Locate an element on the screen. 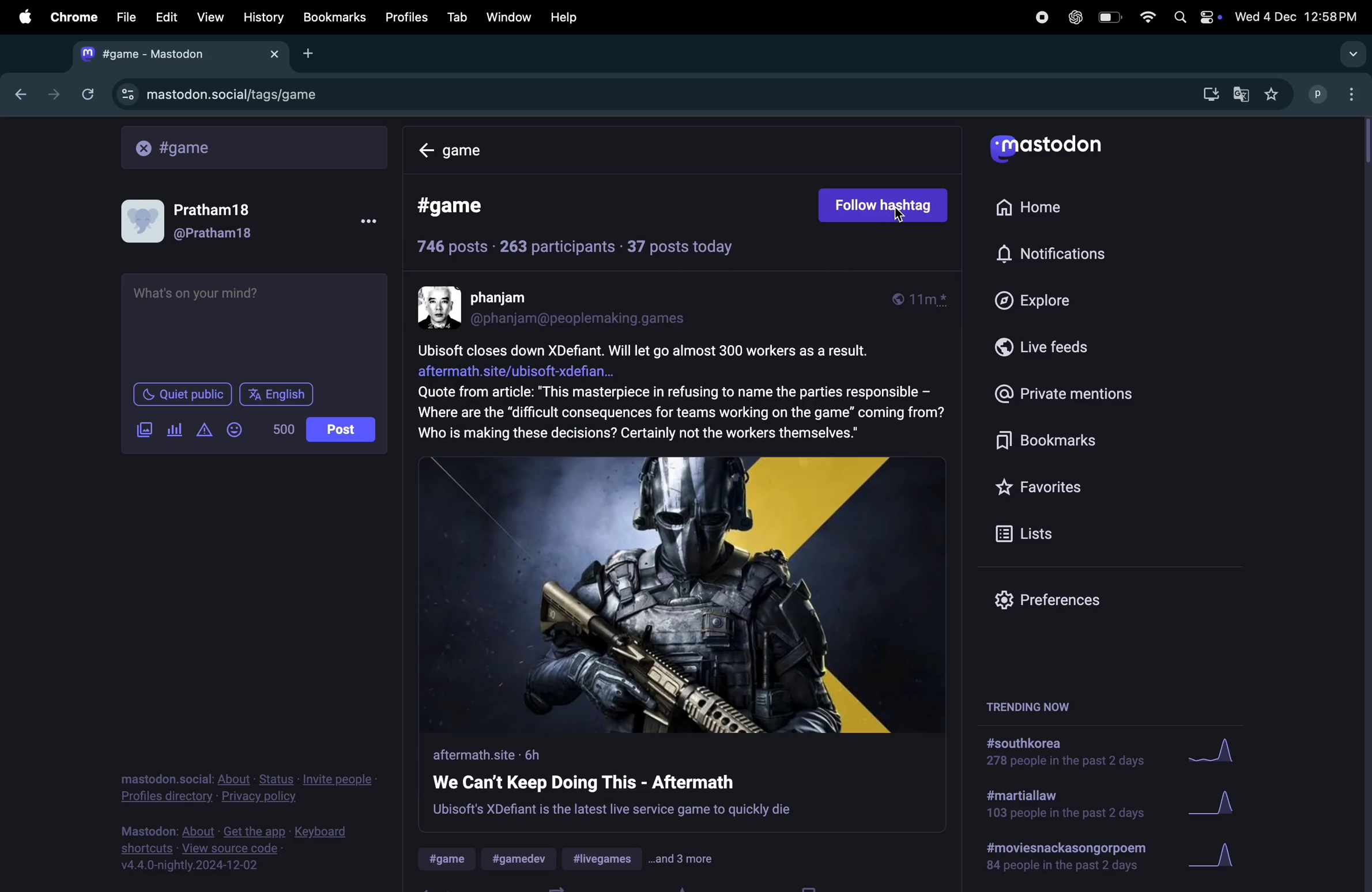 The height and width of the screenshot is (892, 1372). History is located at coordinates (263, 17).